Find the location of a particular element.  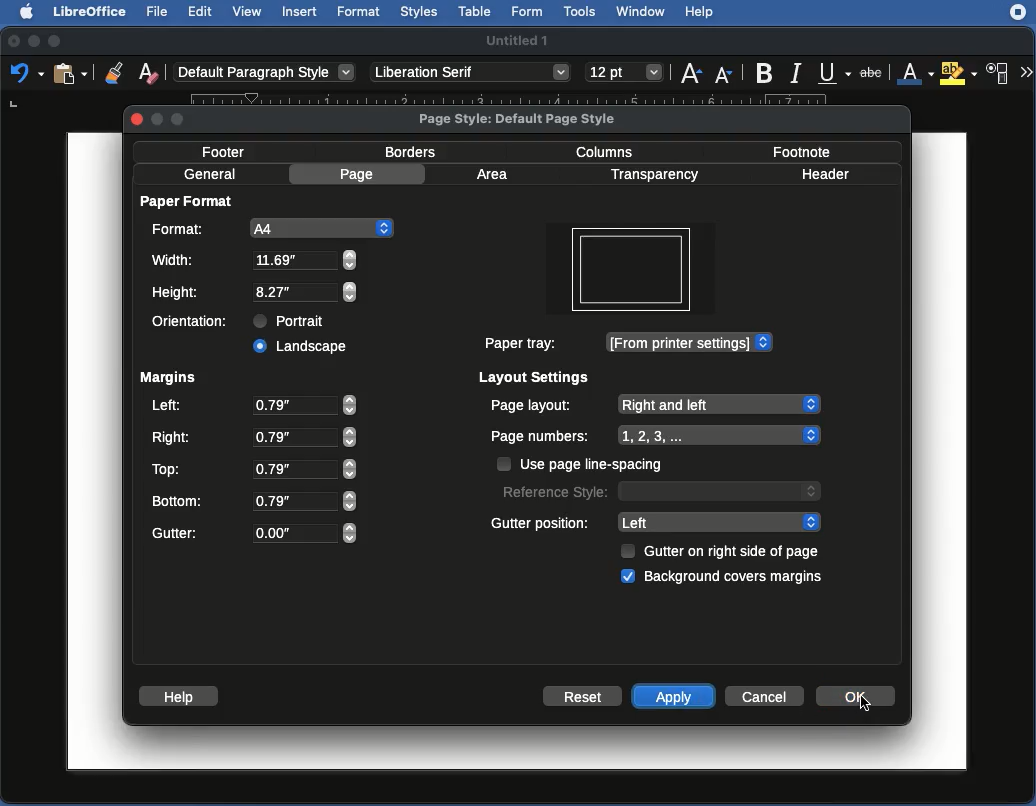

maximize is located at coordinates (182, 121).